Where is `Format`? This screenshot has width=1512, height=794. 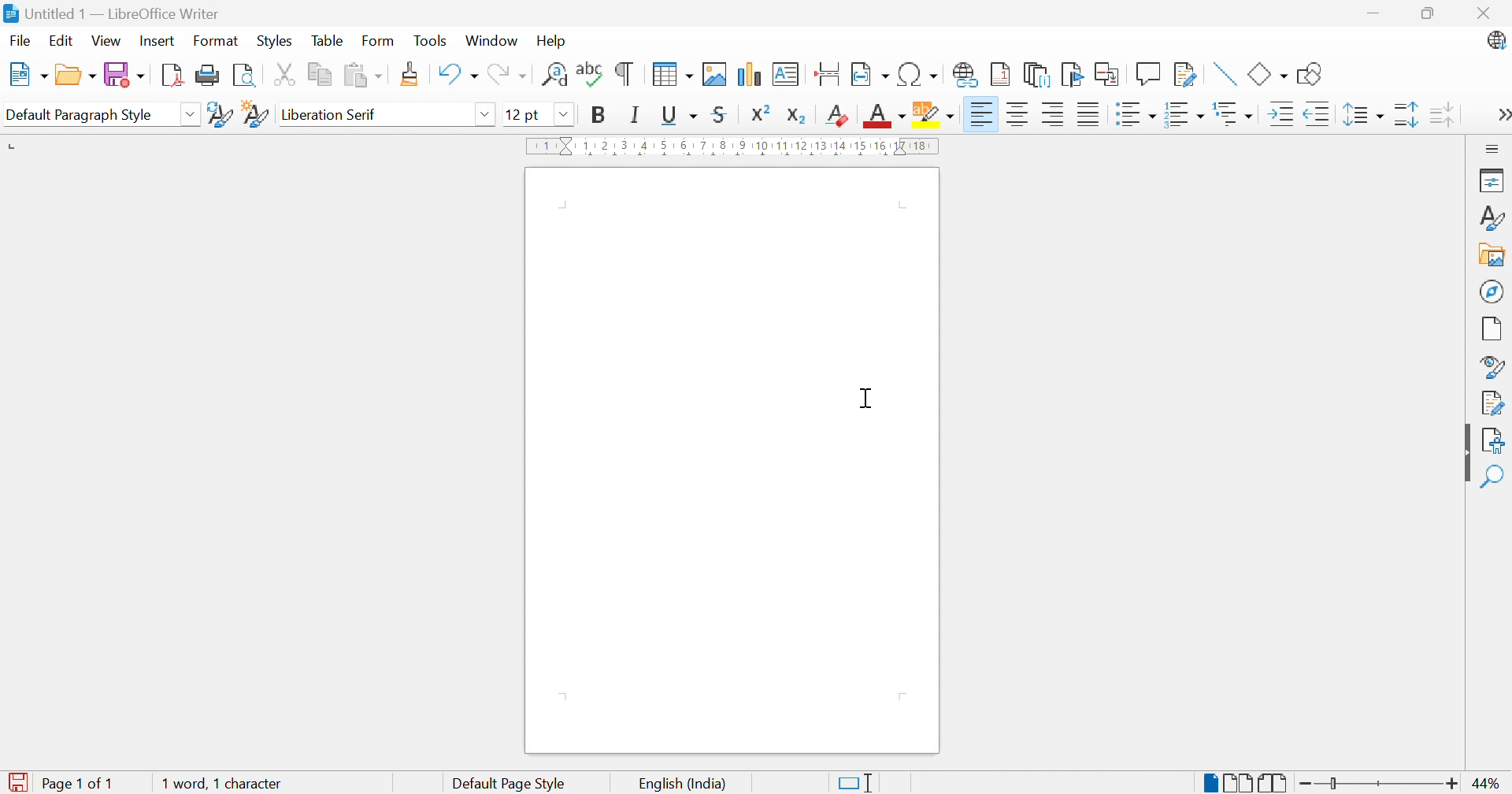 Format is located at coordinates (217, 41).